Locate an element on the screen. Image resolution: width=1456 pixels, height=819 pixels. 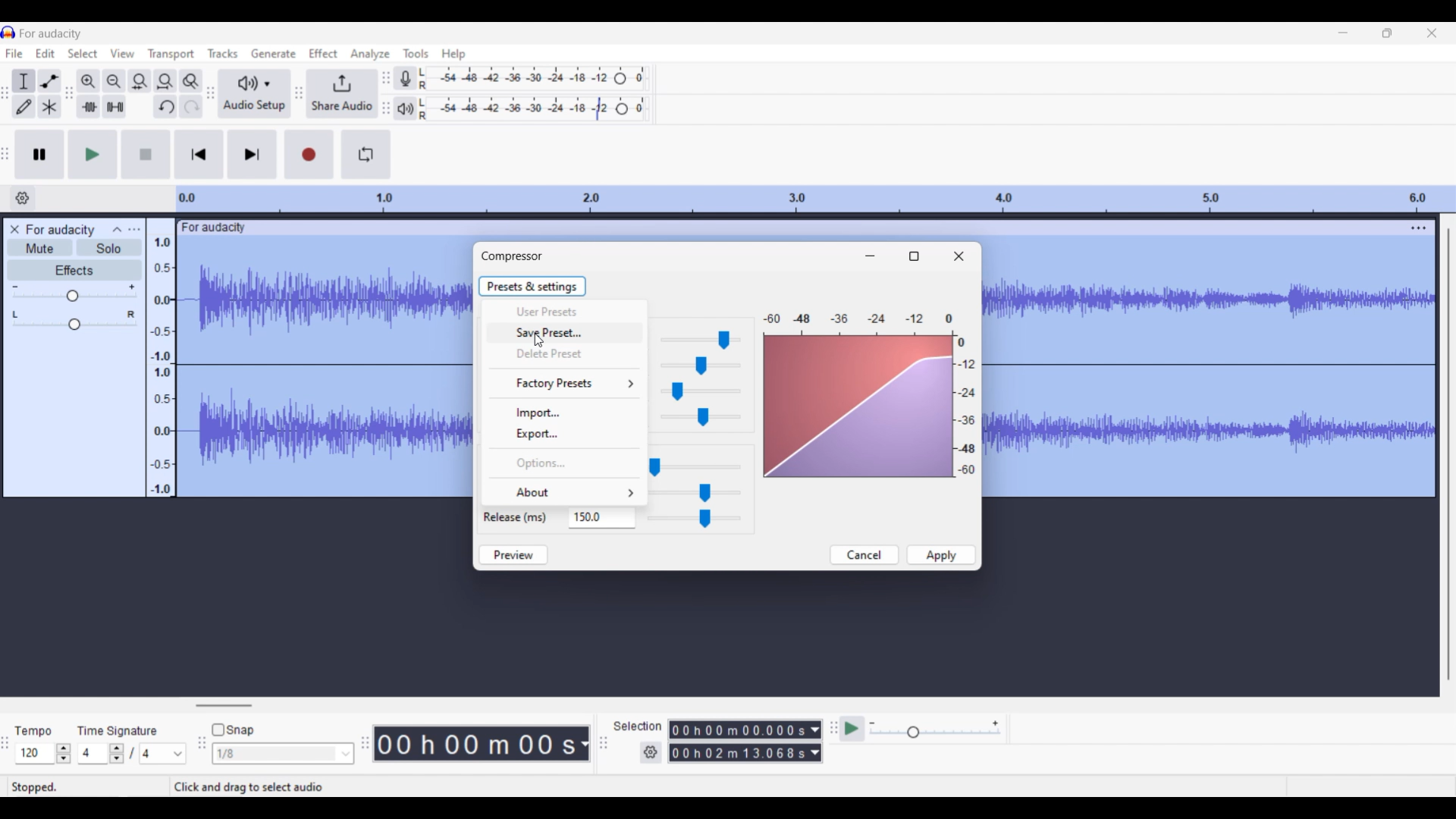
Scale to measure length of track is located at coordinates (815, 199).